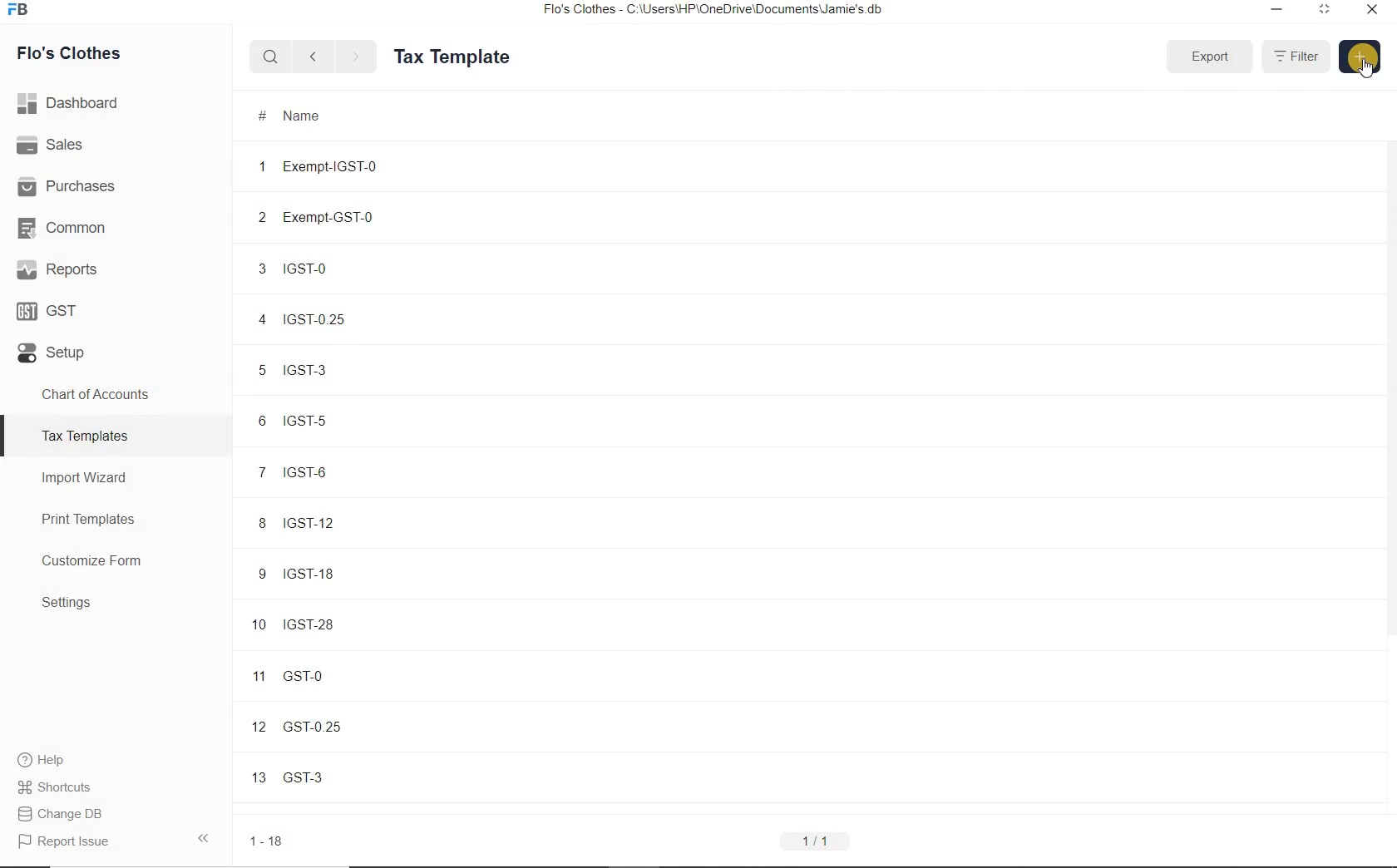  Describe the element at coordinates (116, 144) in the screenshot. I see `Sales` at that location.